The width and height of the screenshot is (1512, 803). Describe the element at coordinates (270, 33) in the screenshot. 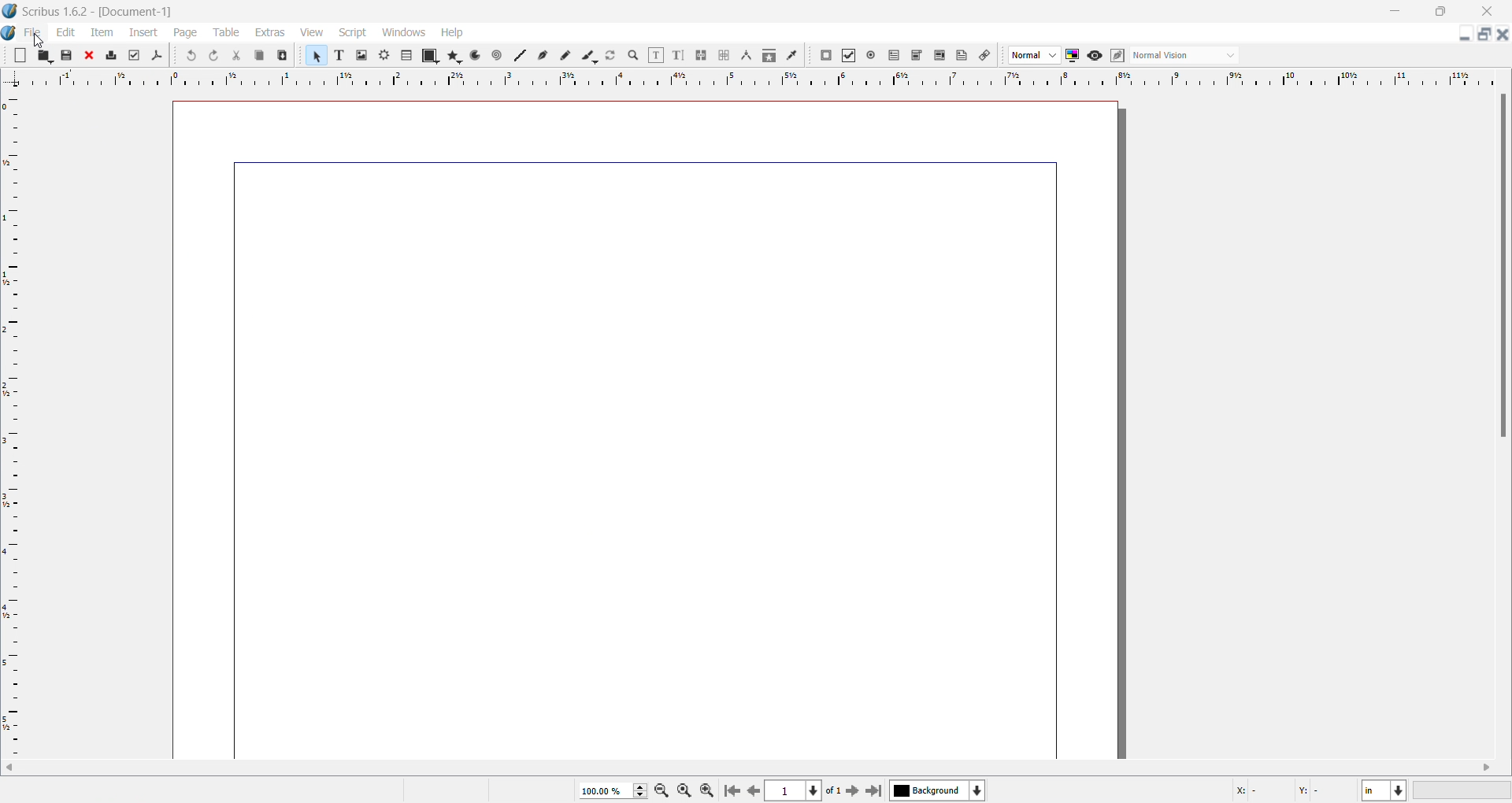

I see `Extras` at that location.